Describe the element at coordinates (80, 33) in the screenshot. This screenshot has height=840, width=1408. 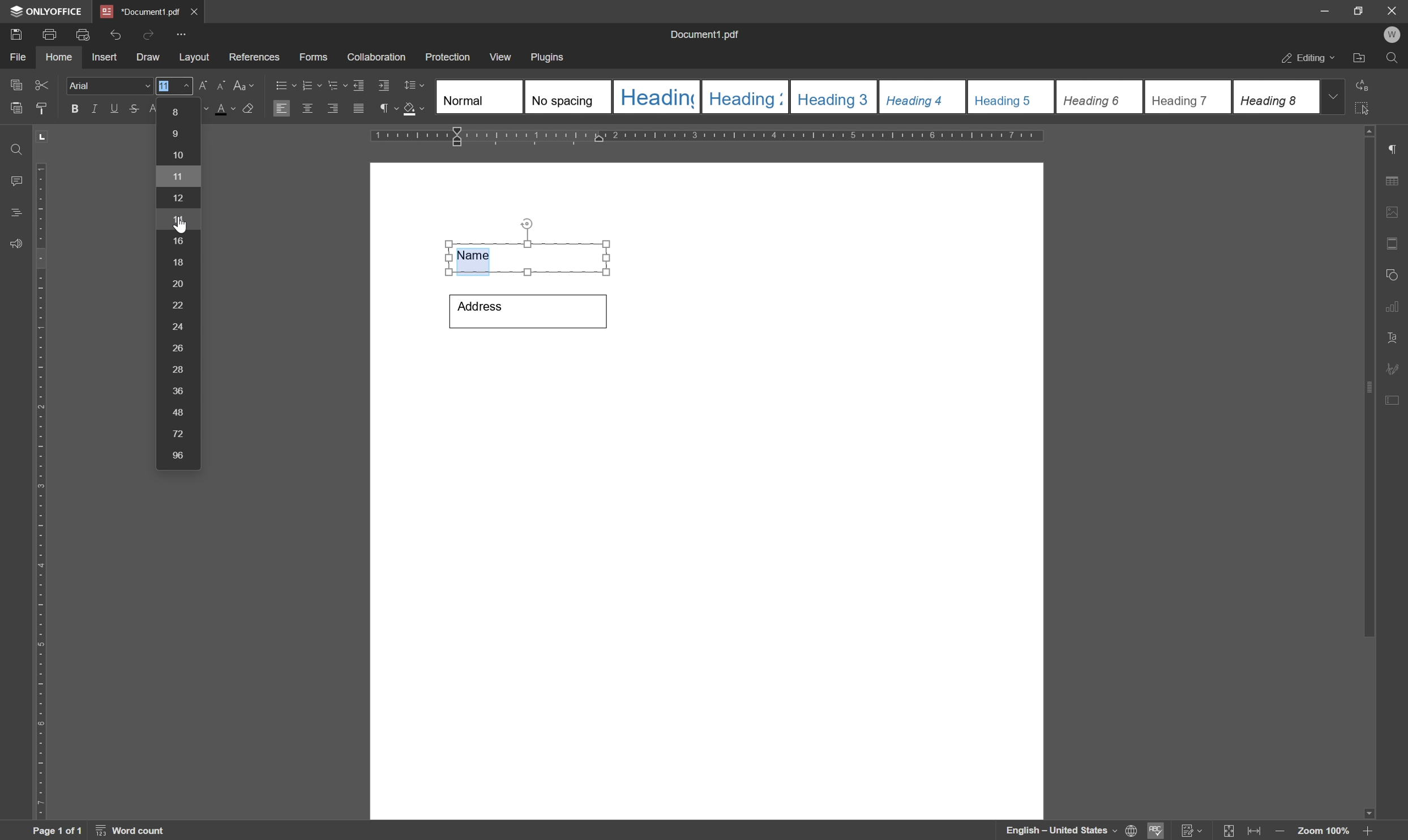
I see `quick print` at that location.